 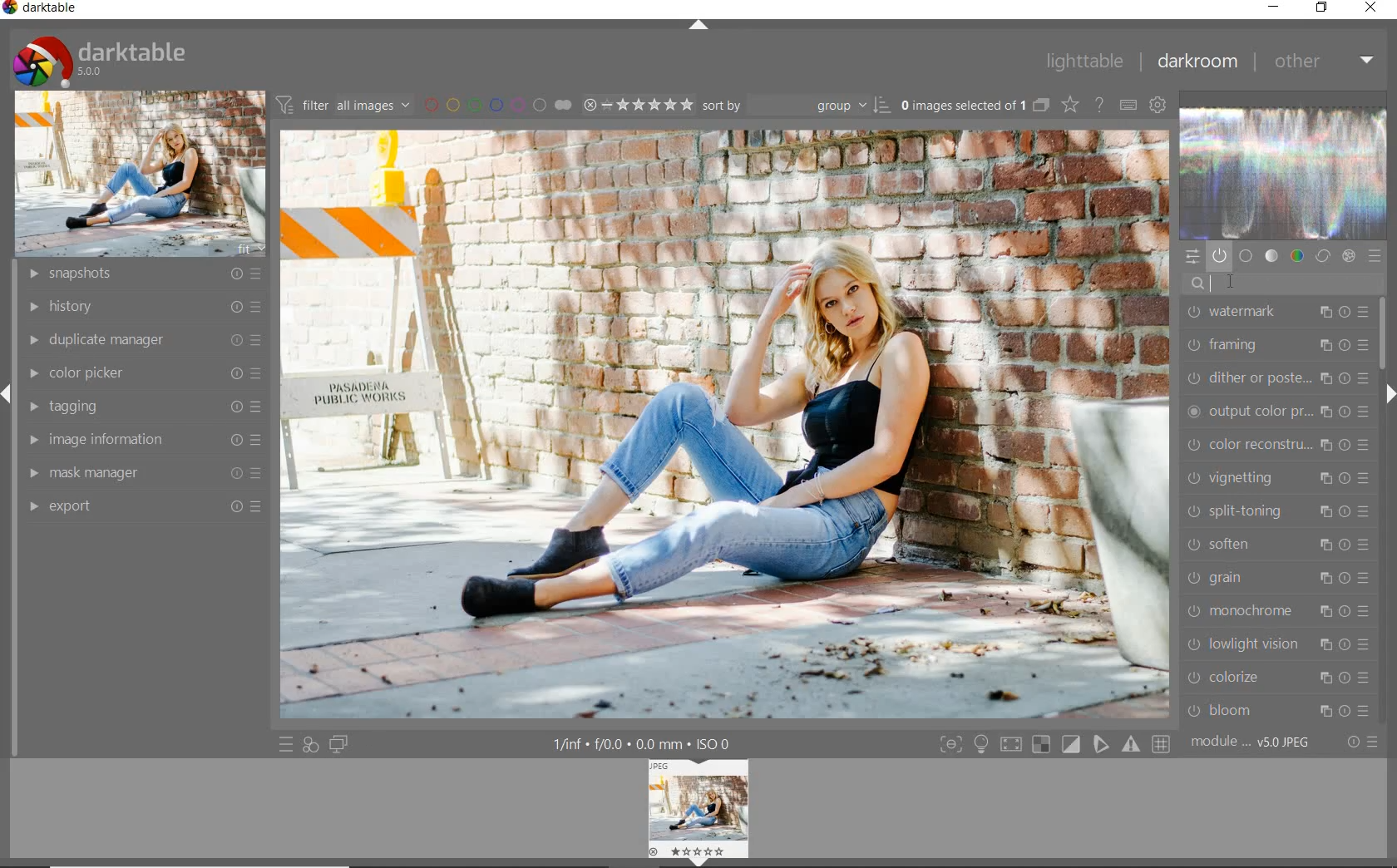 What do you see at coordinates (1193, 257) in the screenshot?
I see `quick access panel` at bounding box center [1193, 257].